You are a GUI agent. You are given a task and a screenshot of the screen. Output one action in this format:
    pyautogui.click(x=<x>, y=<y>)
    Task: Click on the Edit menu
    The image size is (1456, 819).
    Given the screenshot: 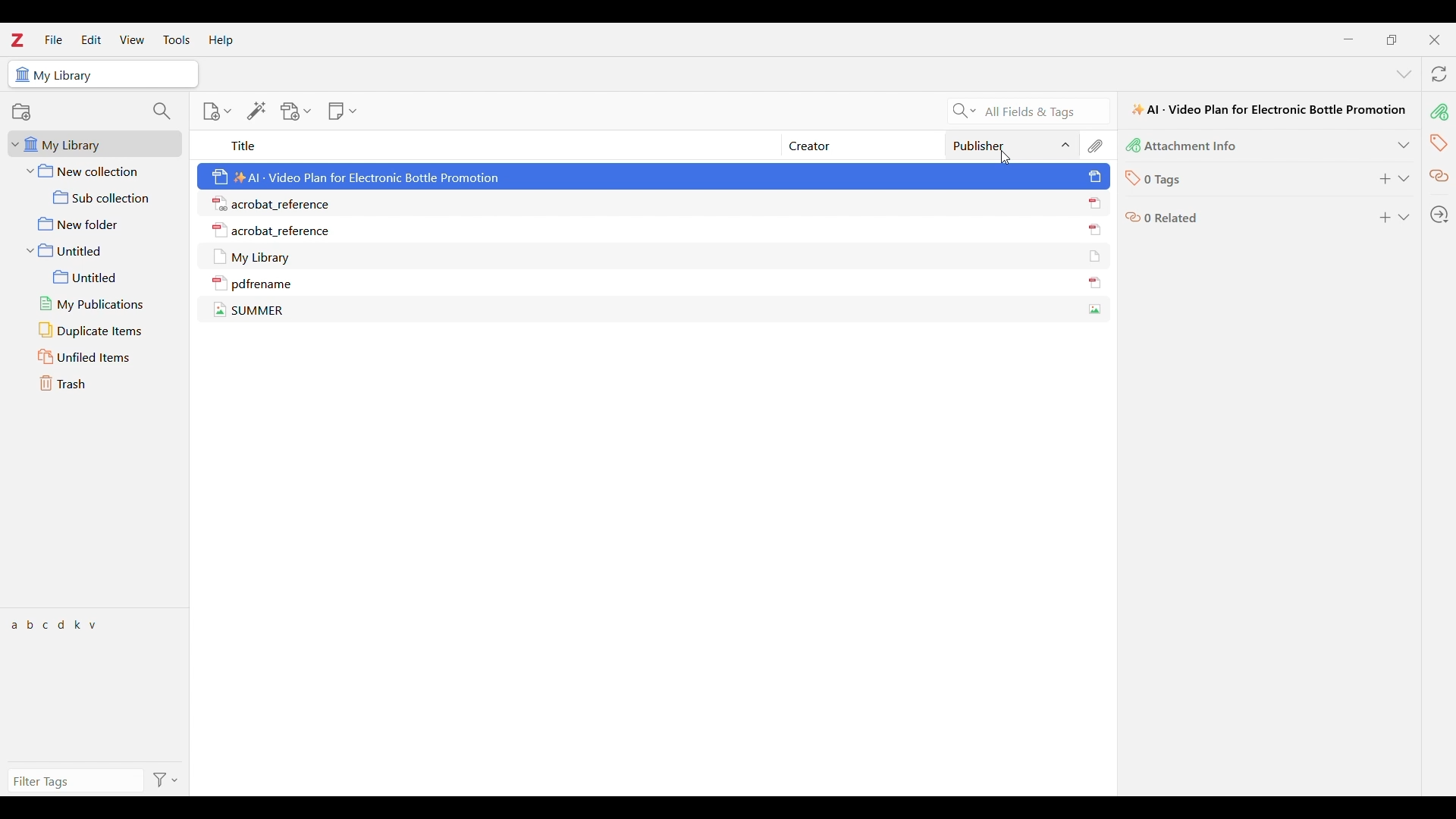 What is the action you would take?
    pyautogui.click(x=92, y=39)
    